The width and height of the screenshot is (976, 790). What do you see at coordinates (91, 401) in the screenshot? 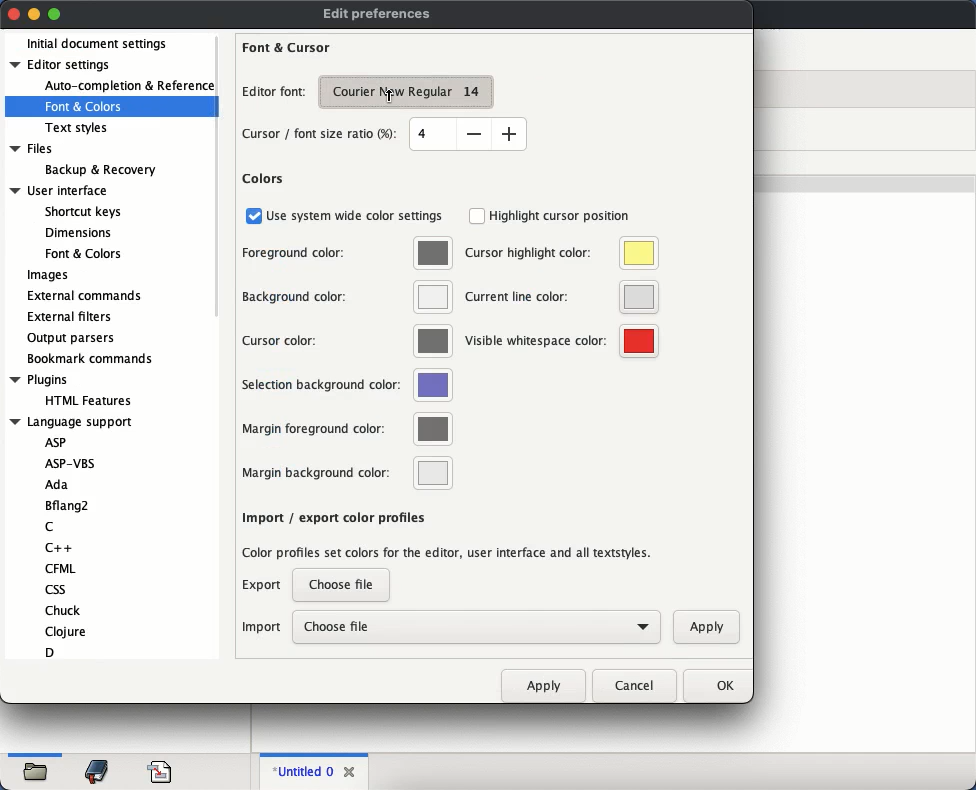
I see `HTML features` at bounding box center [91, 401].